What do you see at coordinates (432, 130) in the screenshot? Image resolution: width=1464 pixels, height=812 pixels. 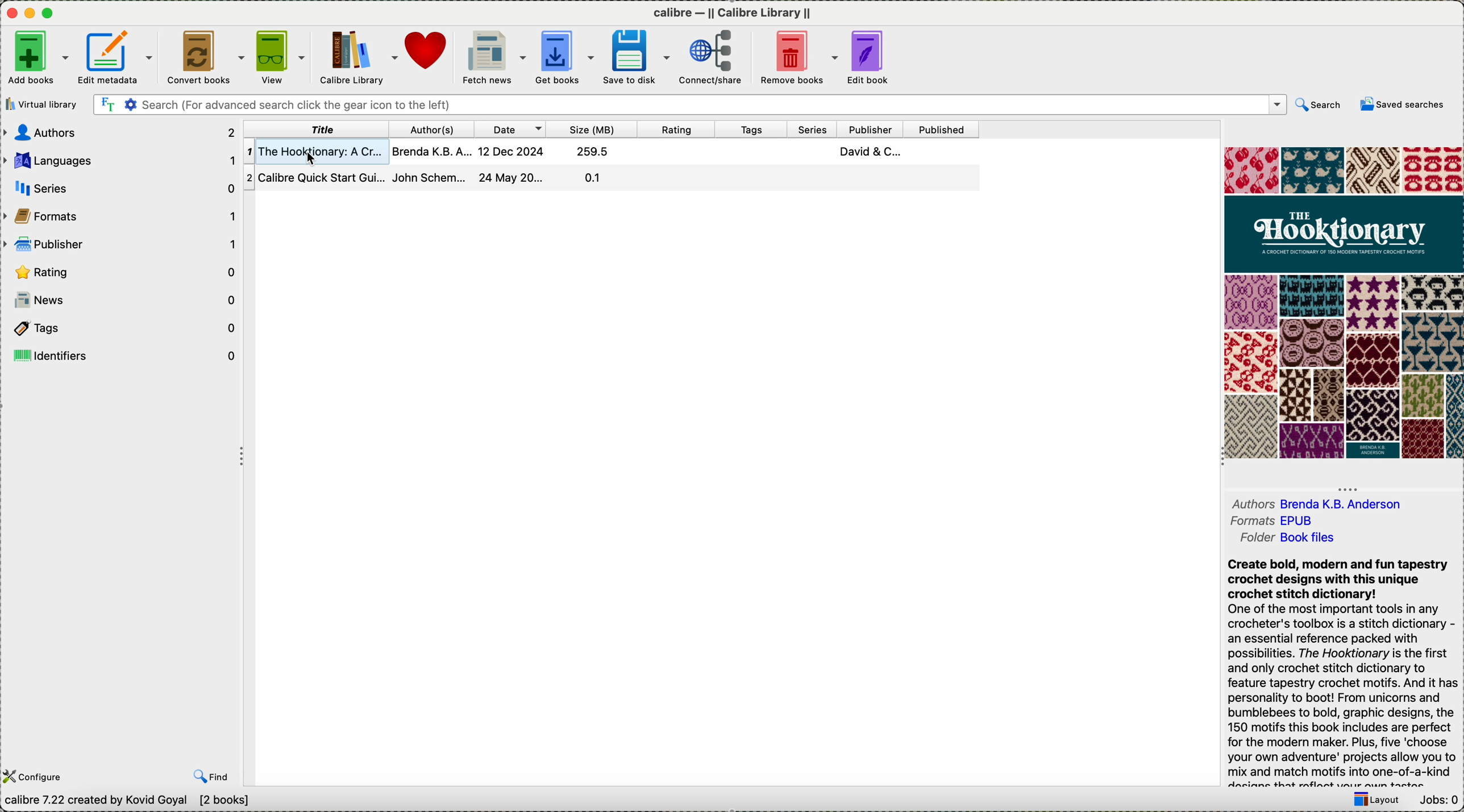 I see `author(s)` at bounding box center [432, 130].